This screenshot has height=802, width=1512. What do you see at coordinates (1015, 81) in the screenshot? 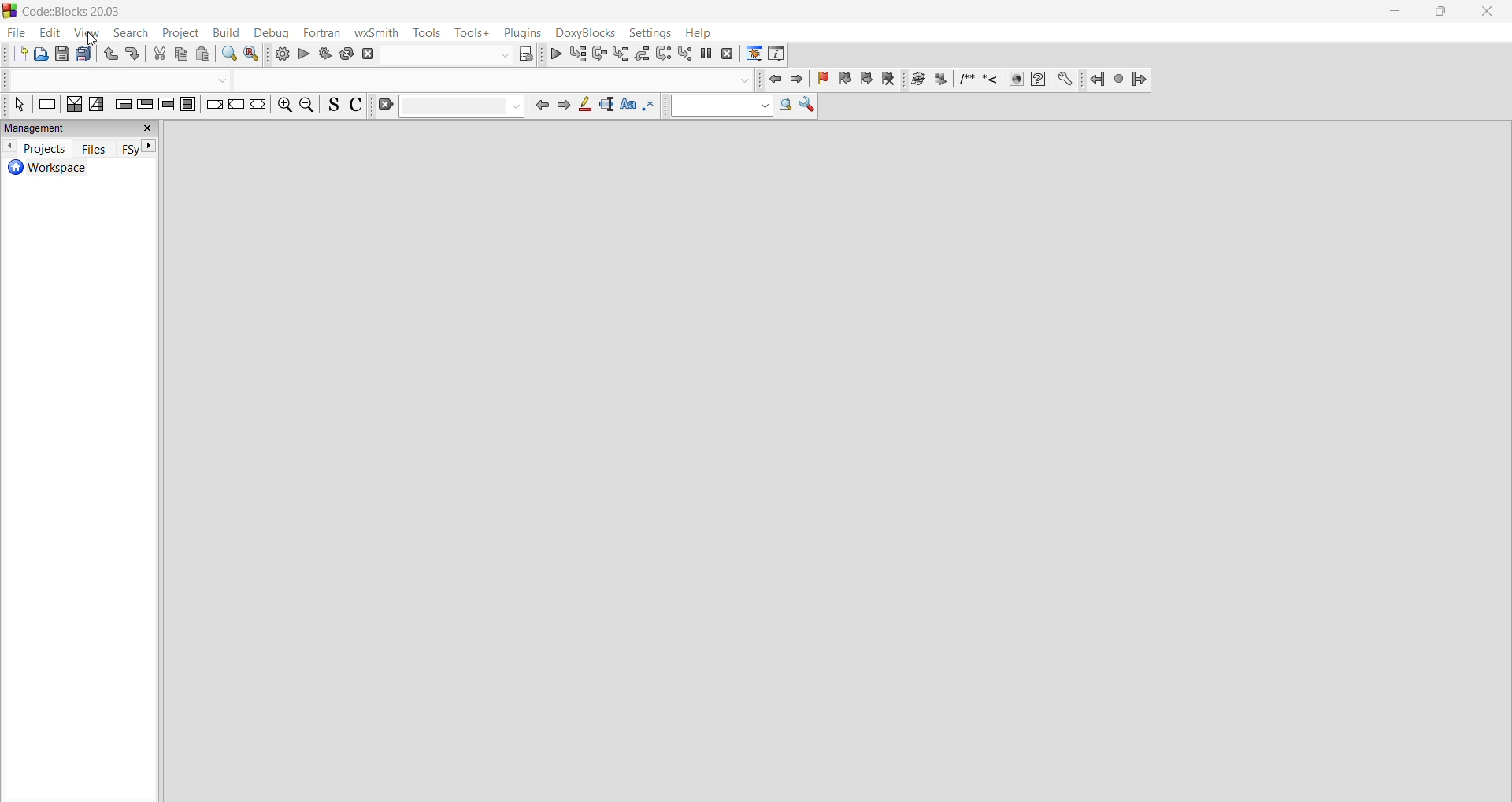
I see `HTML` at bounding box center [1015, 81].